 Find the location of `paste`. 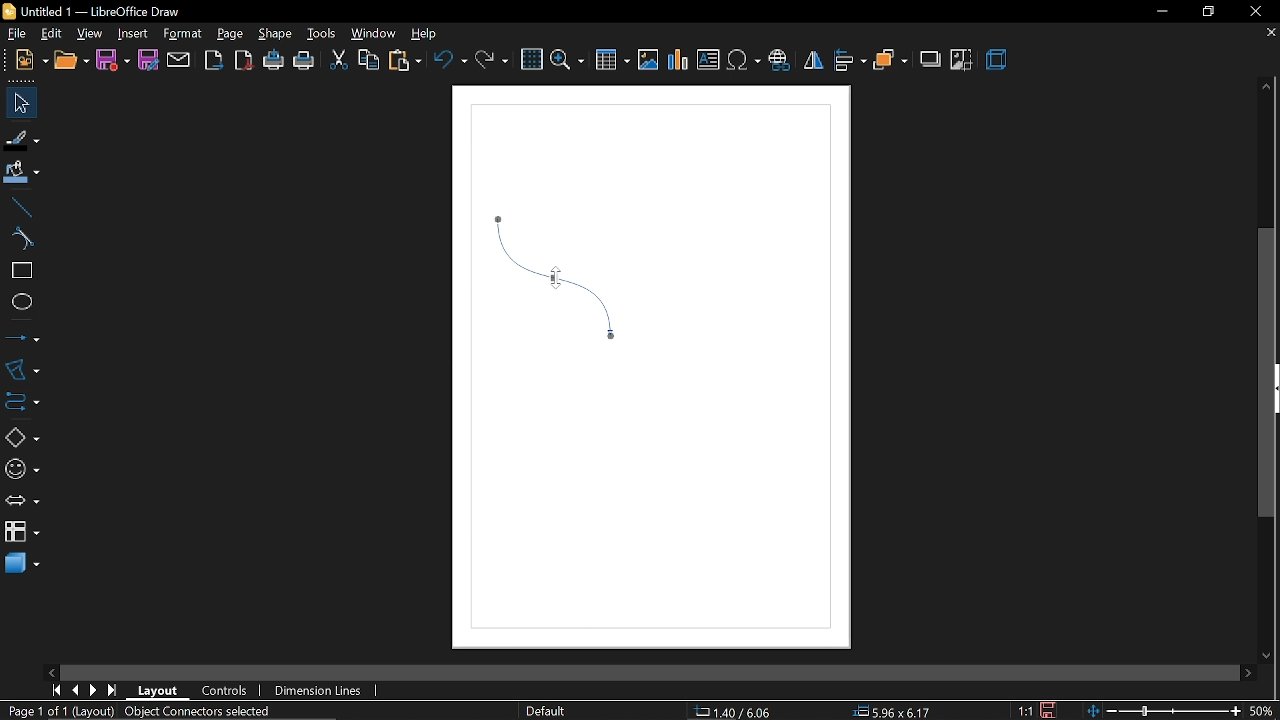

paste is located at coordinates (404, 61).